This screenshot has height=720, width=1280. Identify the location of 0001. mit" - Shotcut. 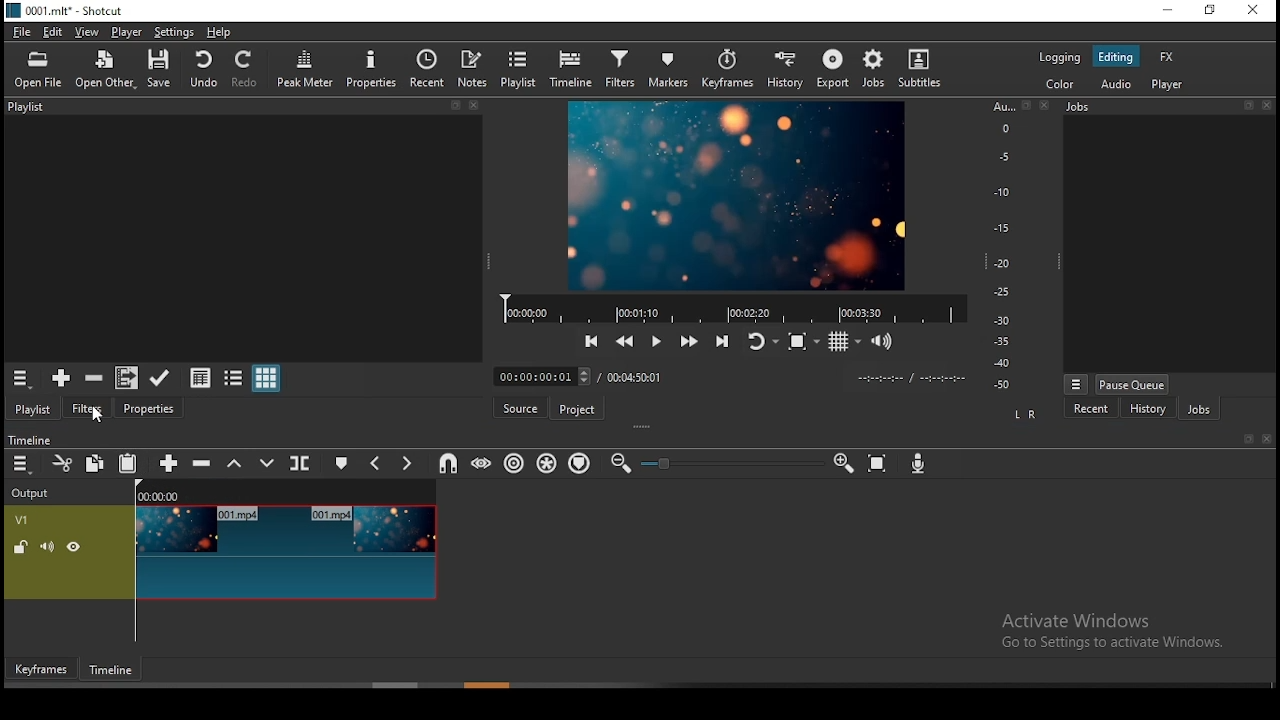
(68, 10).